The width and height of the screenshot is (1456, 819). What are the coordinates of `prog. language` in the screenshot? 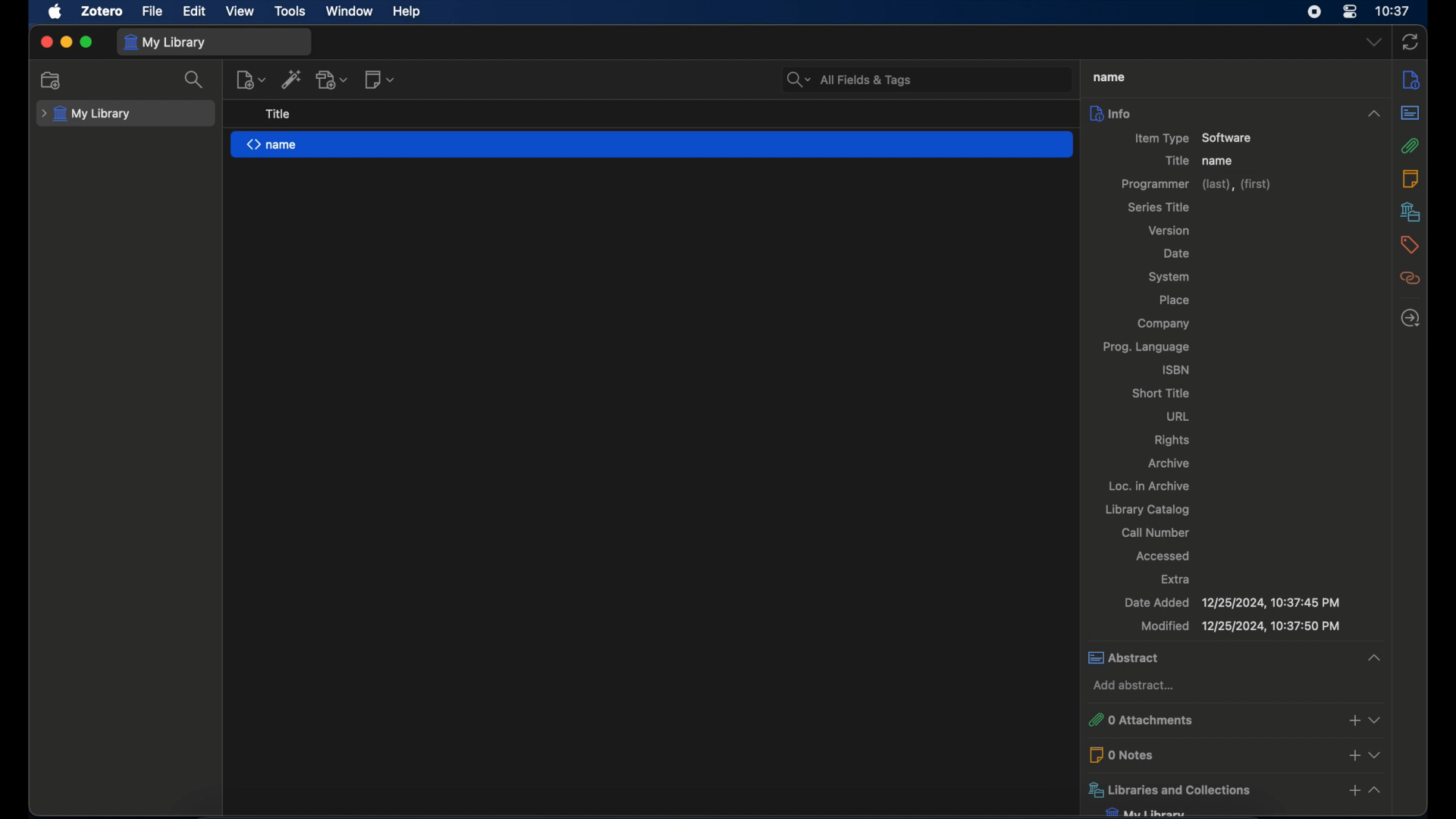 It's located at (1147, 347).